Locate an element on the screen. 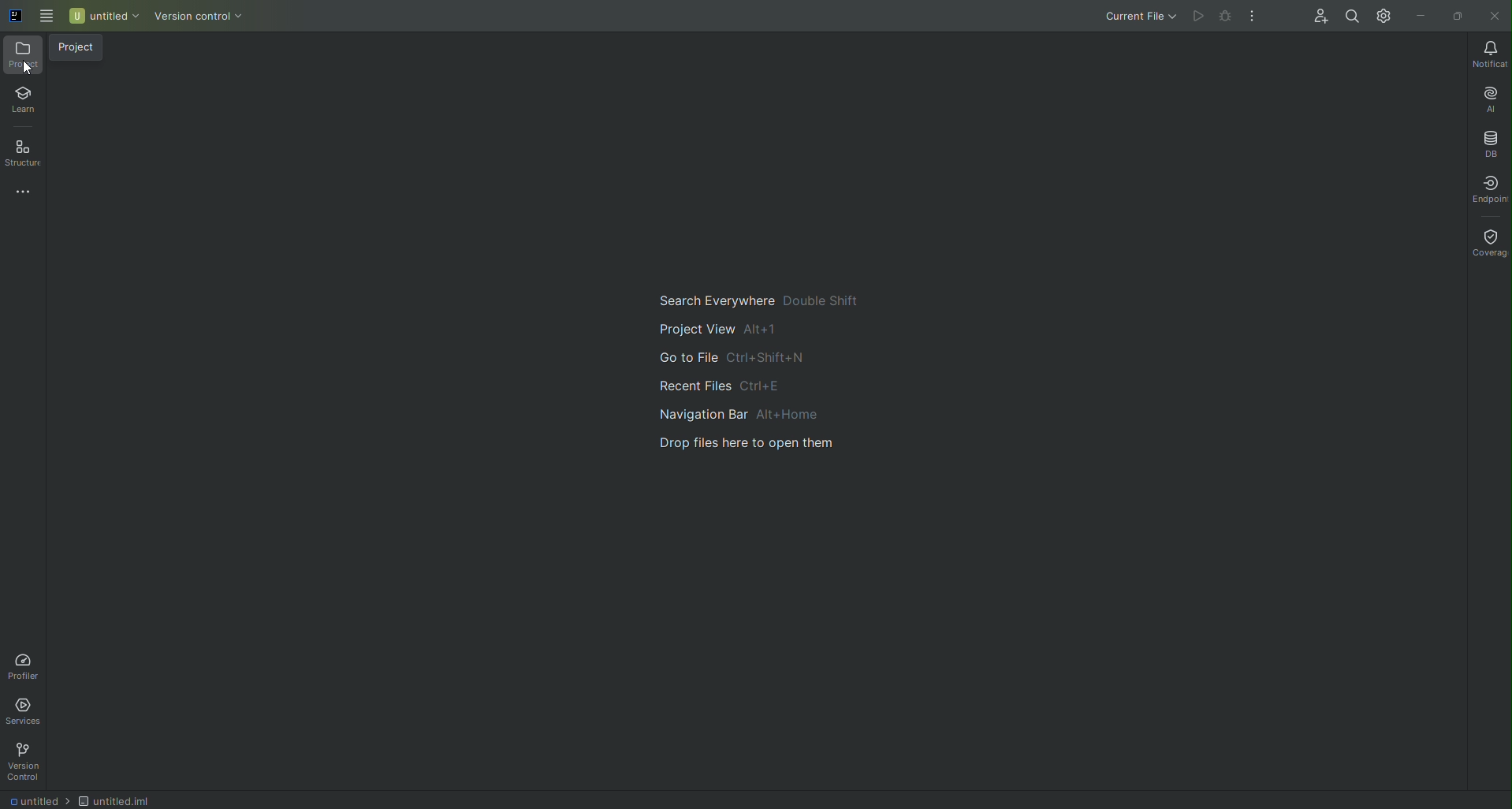 The image size is (1512, 809). Project is located at coordinates (82, 49).